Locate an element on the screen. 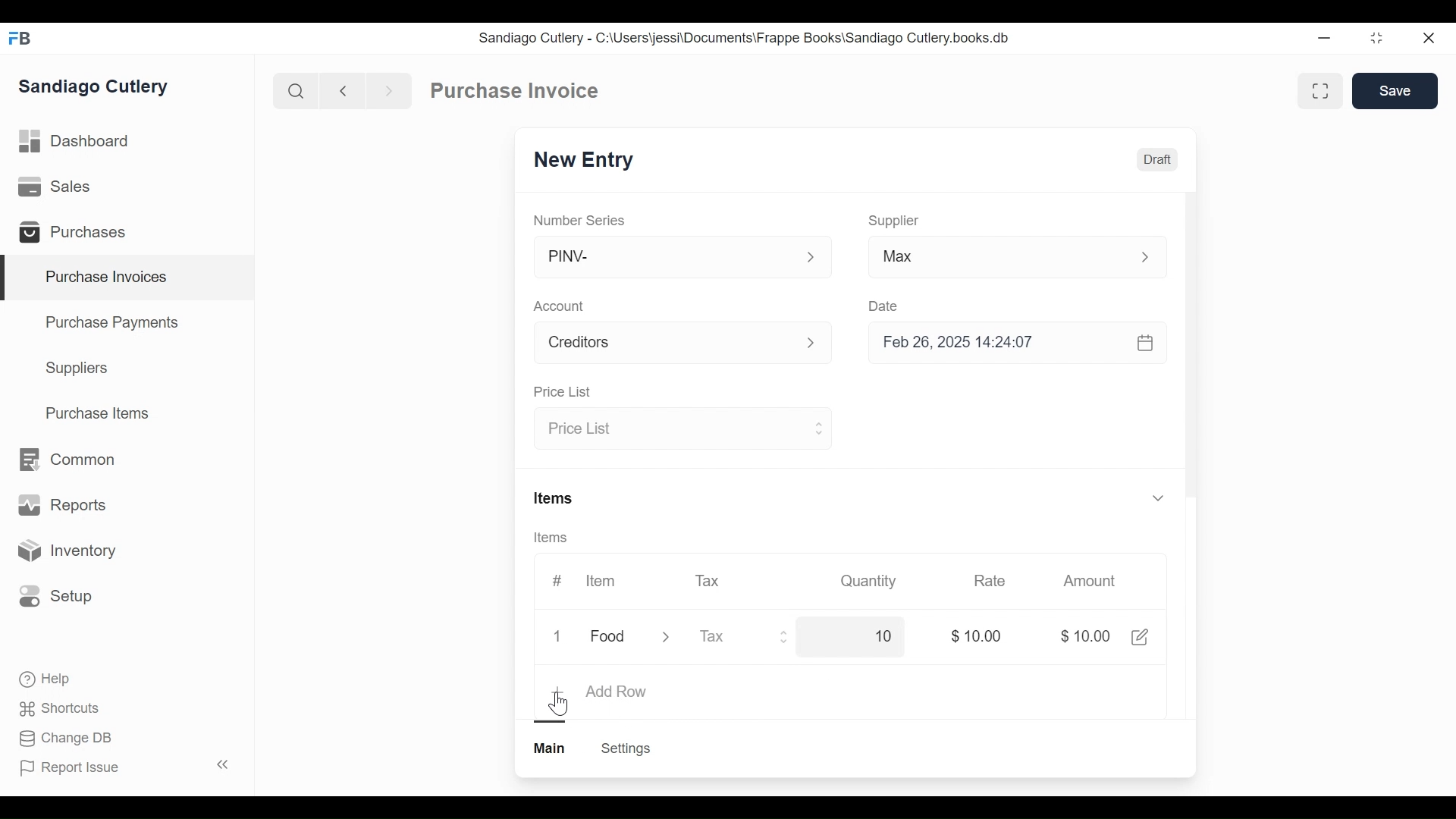  Expand is located at coordinates (1157, 497).